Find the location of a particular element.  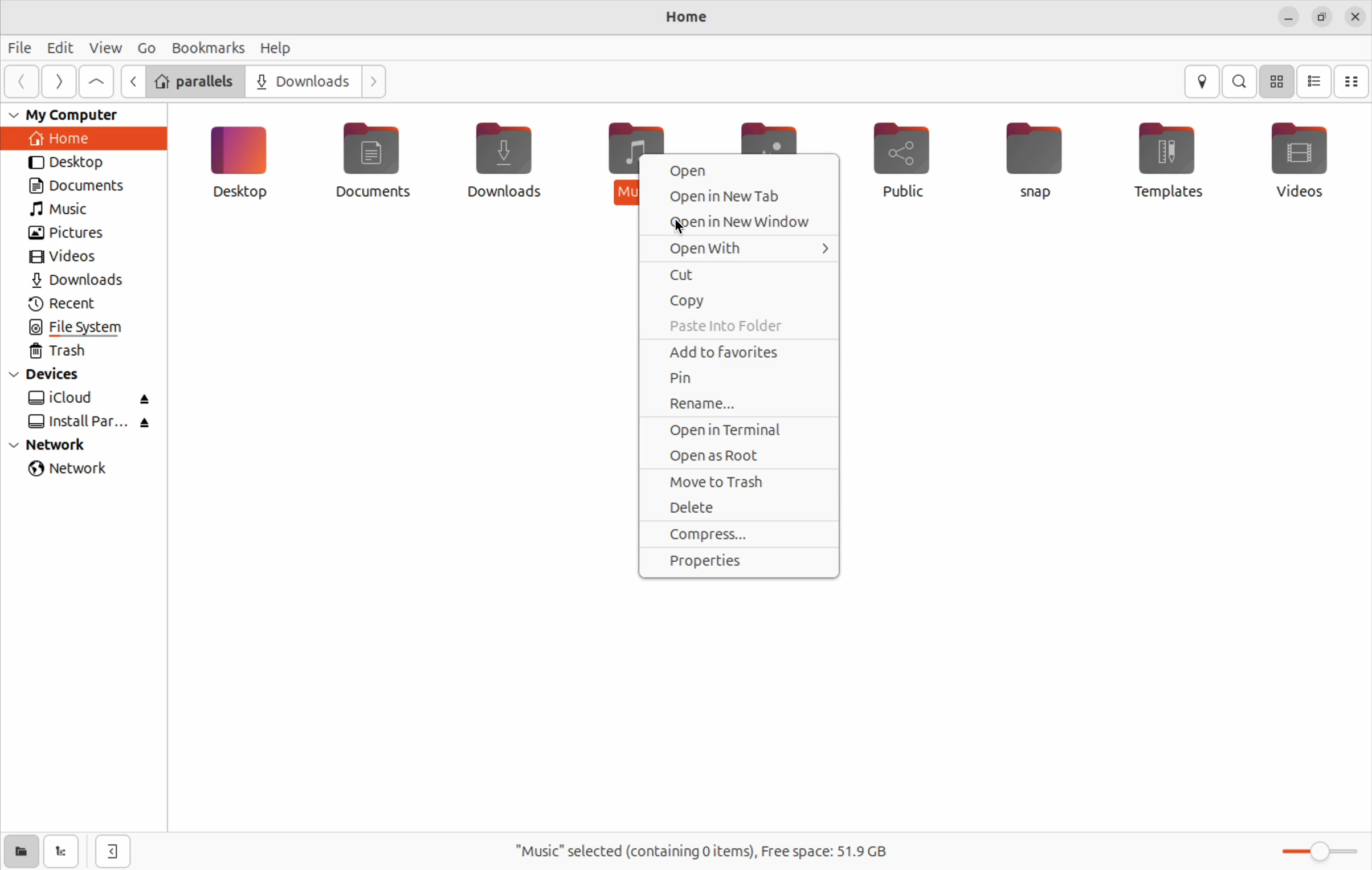

home is located at coordinates (688, 16).